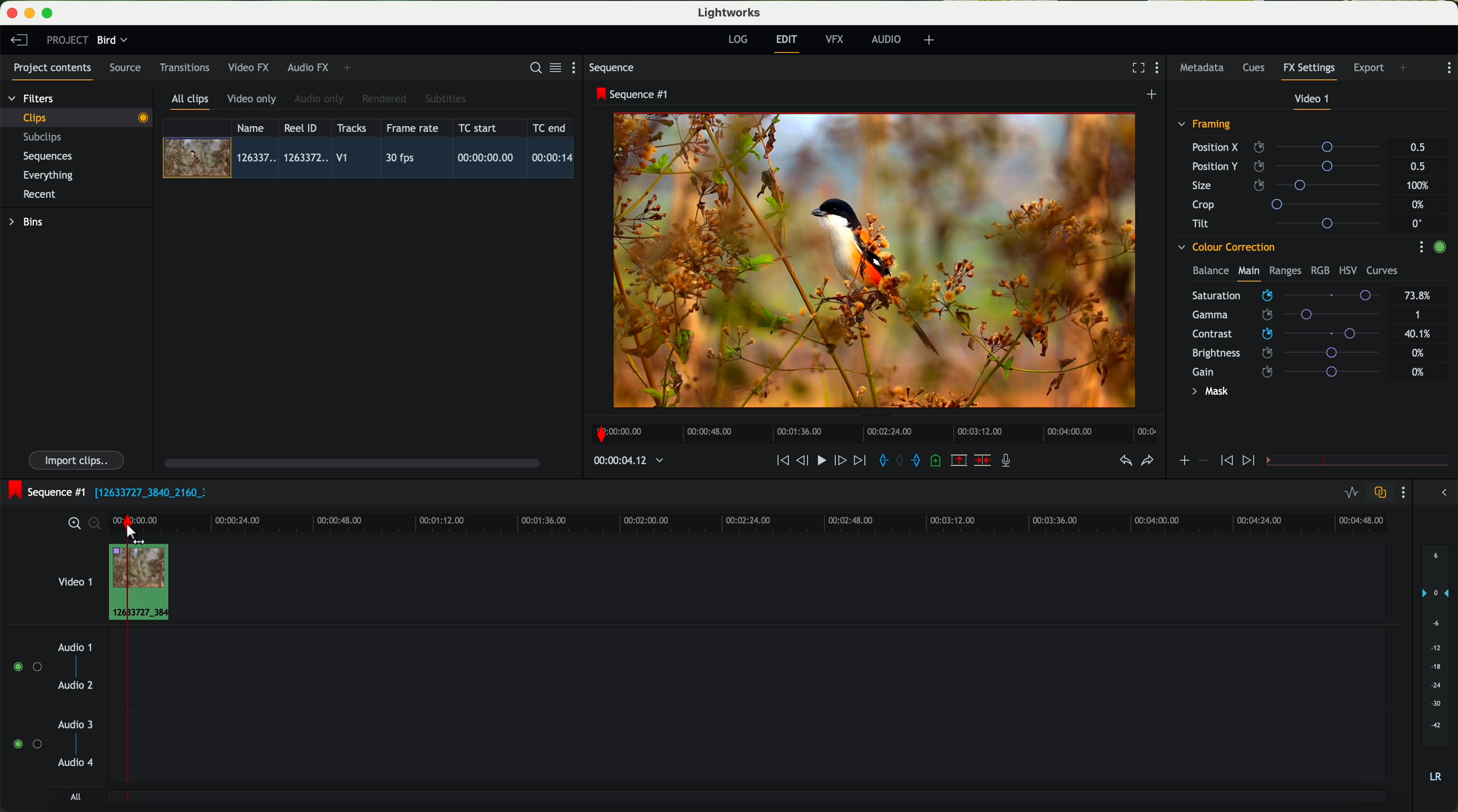 The height and width of the screenshot is (812, 1458). What do you see at coordinates (1203, 461) in the screenshot?
I see `icon` at bounding box center [1203, 461].